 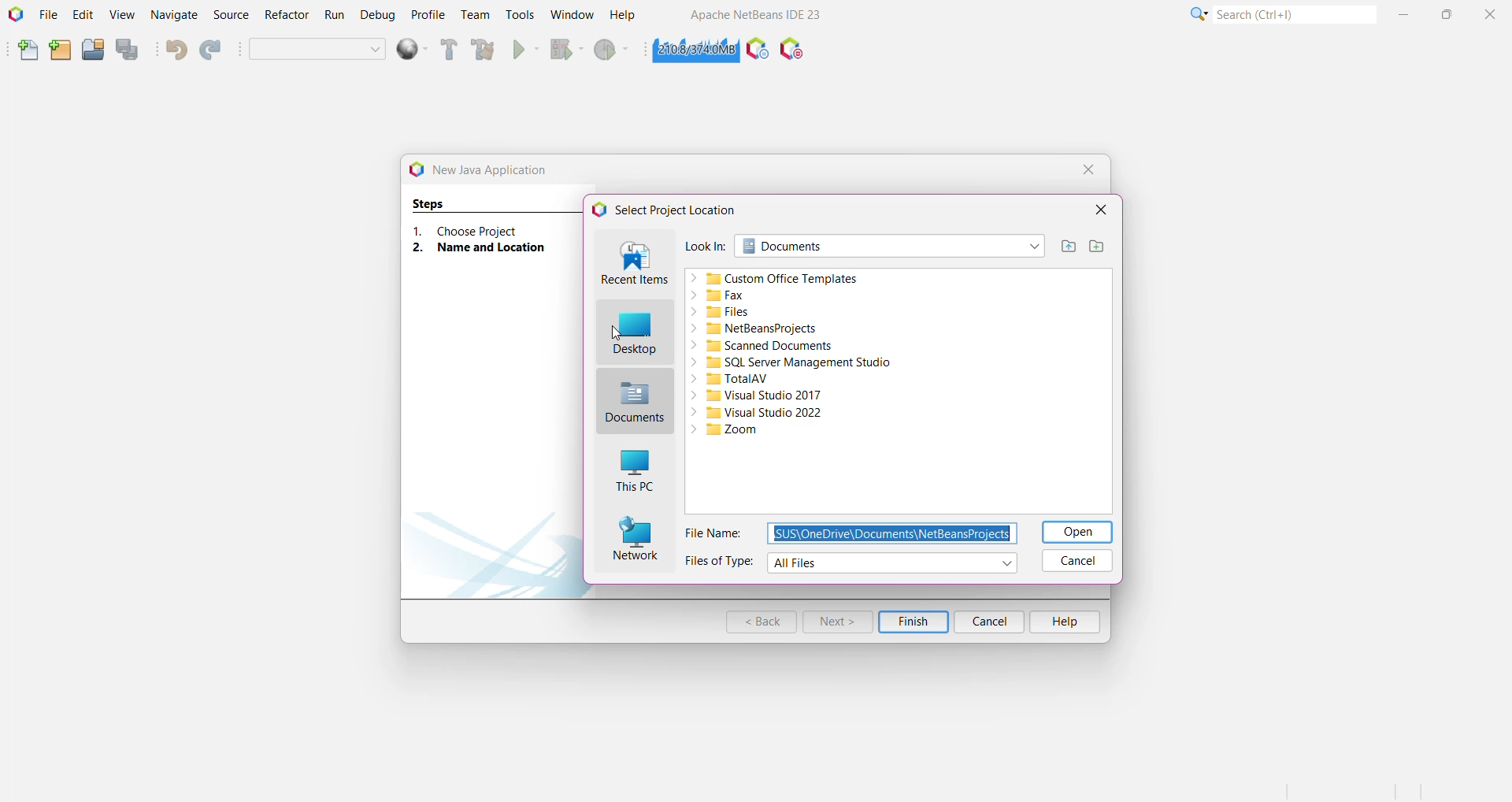 What do you see at coordinates (705, 247) in the screenshot?
I see `Look In` at bounding box center [705, 247].